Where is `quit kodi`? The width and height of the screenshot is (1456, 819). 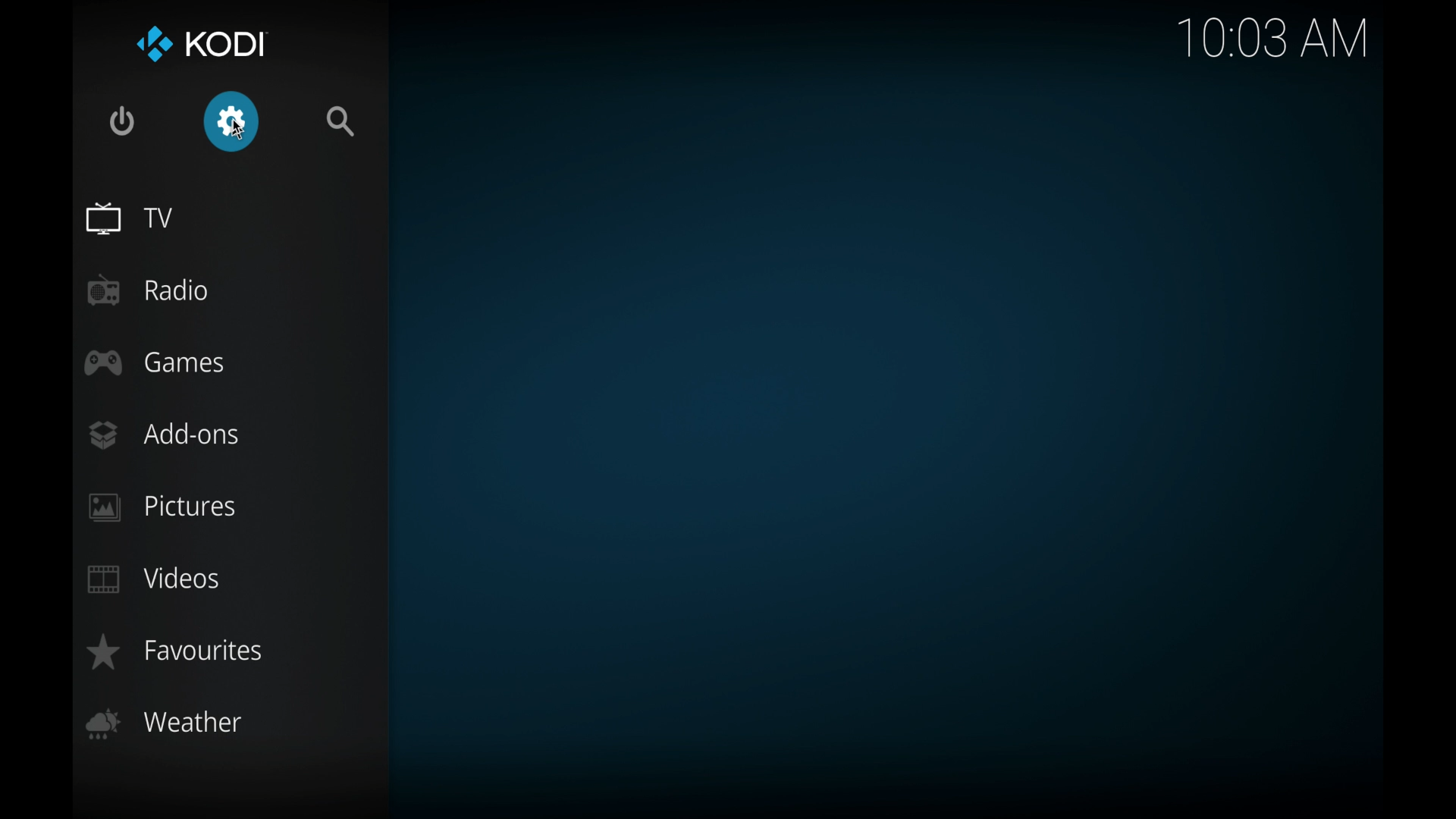
quit kodi is located at coordinates (123, 121).